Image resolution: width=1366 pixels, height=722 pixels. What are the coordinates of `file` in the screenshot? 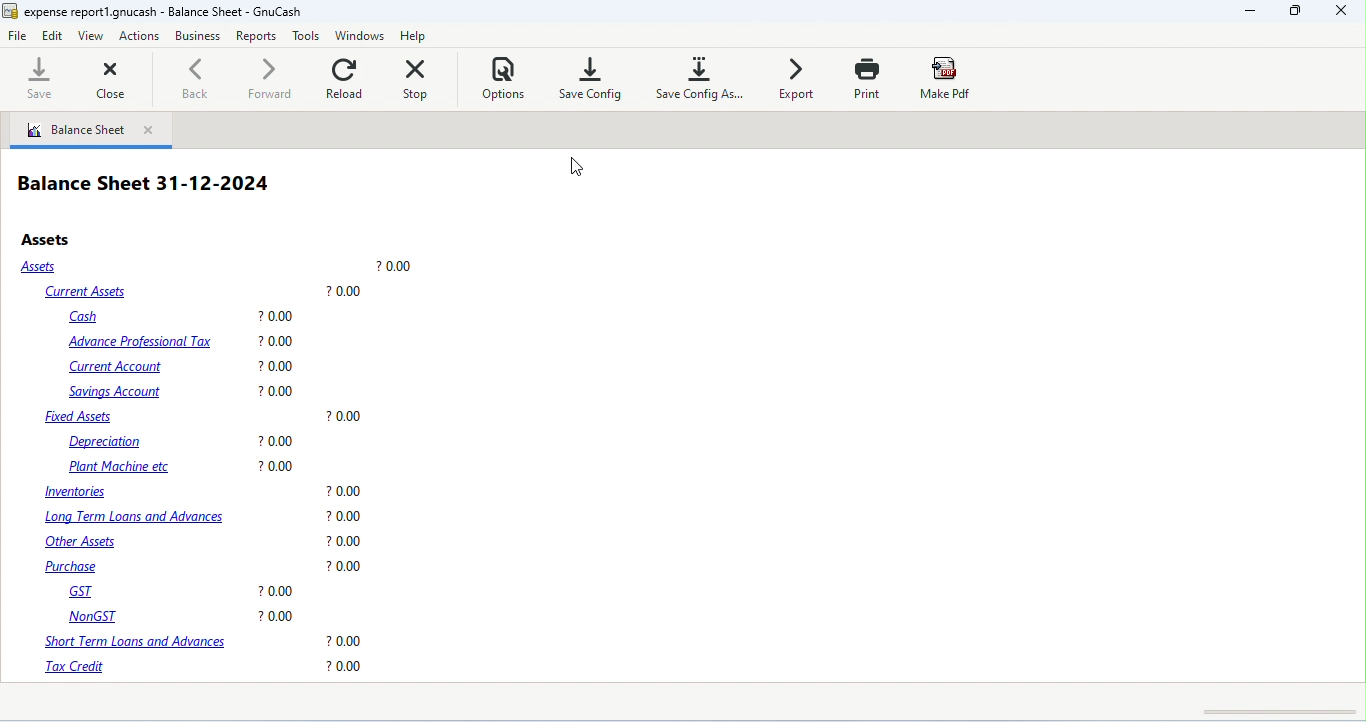 It's located at (18, 34).